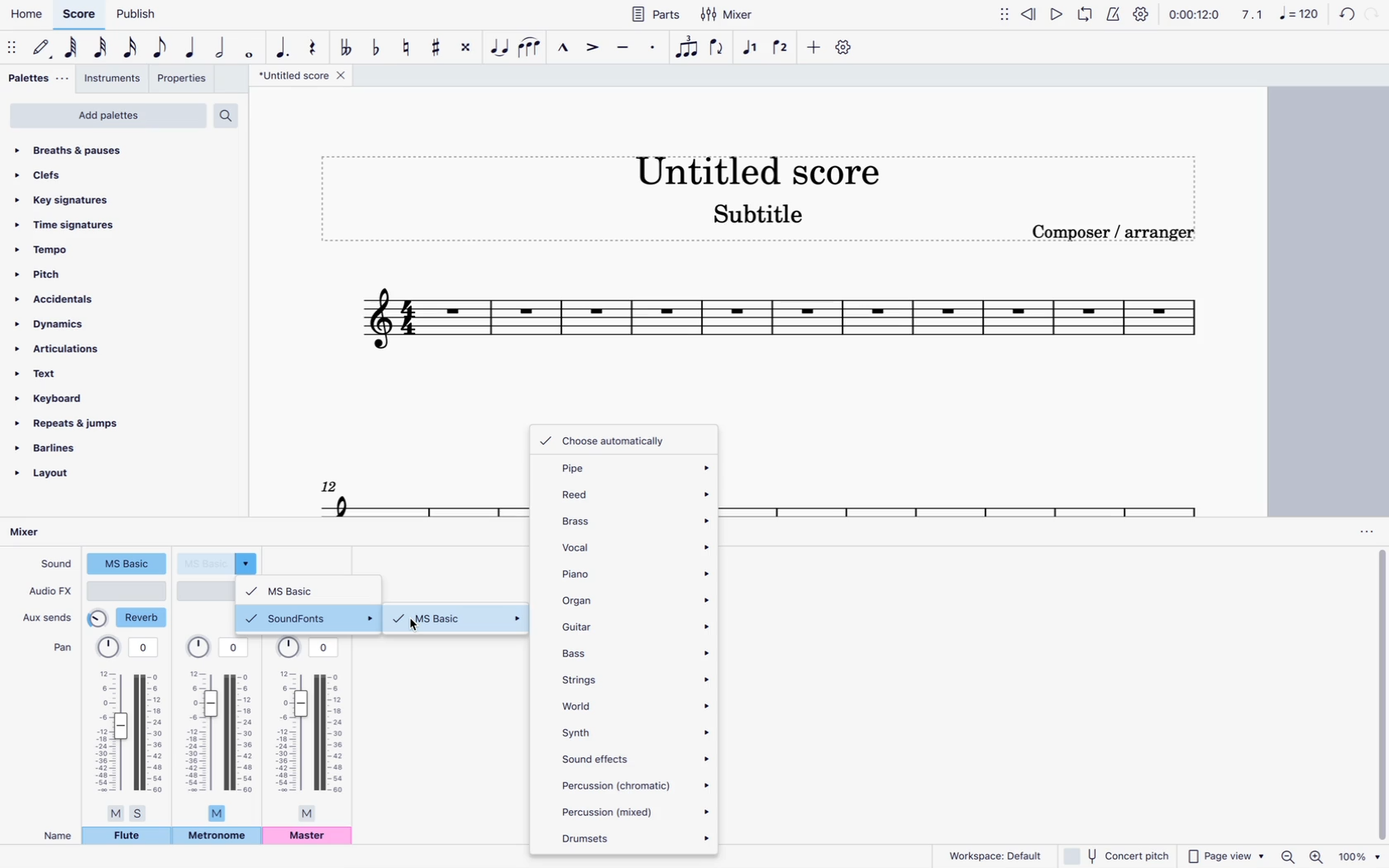 The height and width of the screenshot is (868, 1389). Describe the element at coordinates (312, 43) in the screenshot. I see `rest` at that location.